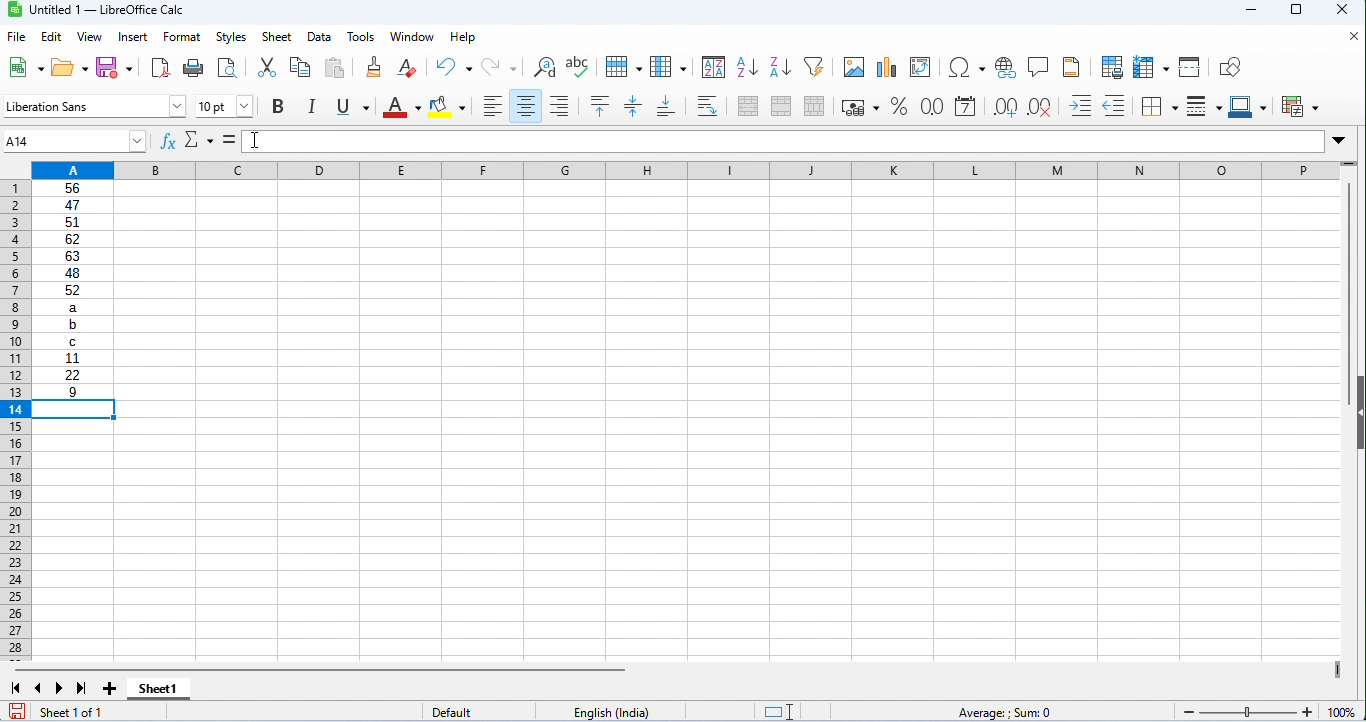 This screenshot has height=722, width=1366. I want to click on Software logo, so click(16, 10).